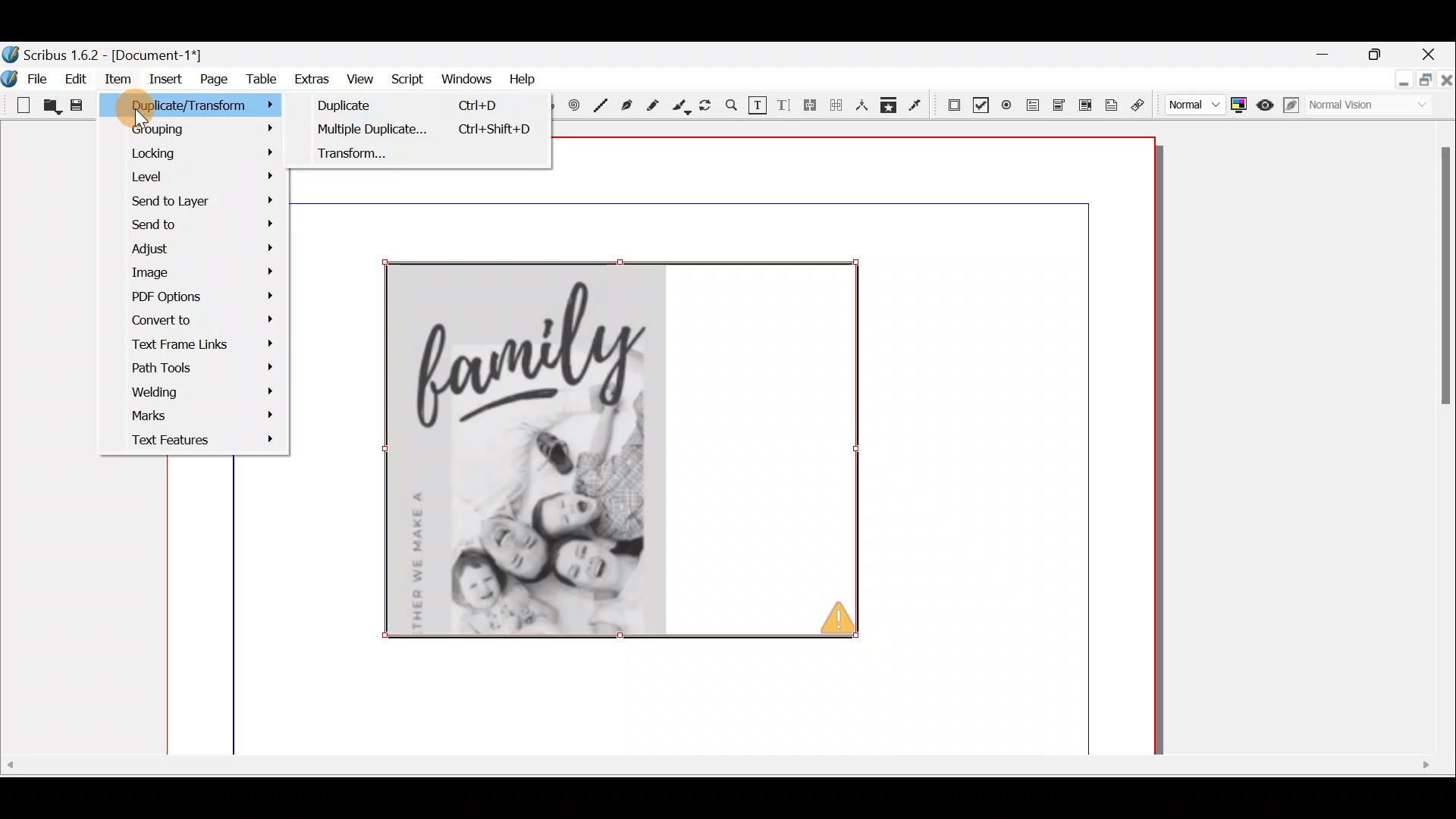  What do you see at coordinates (310, 80) in the screenshot?
I see `Extras` at bounding box center [310, 80].